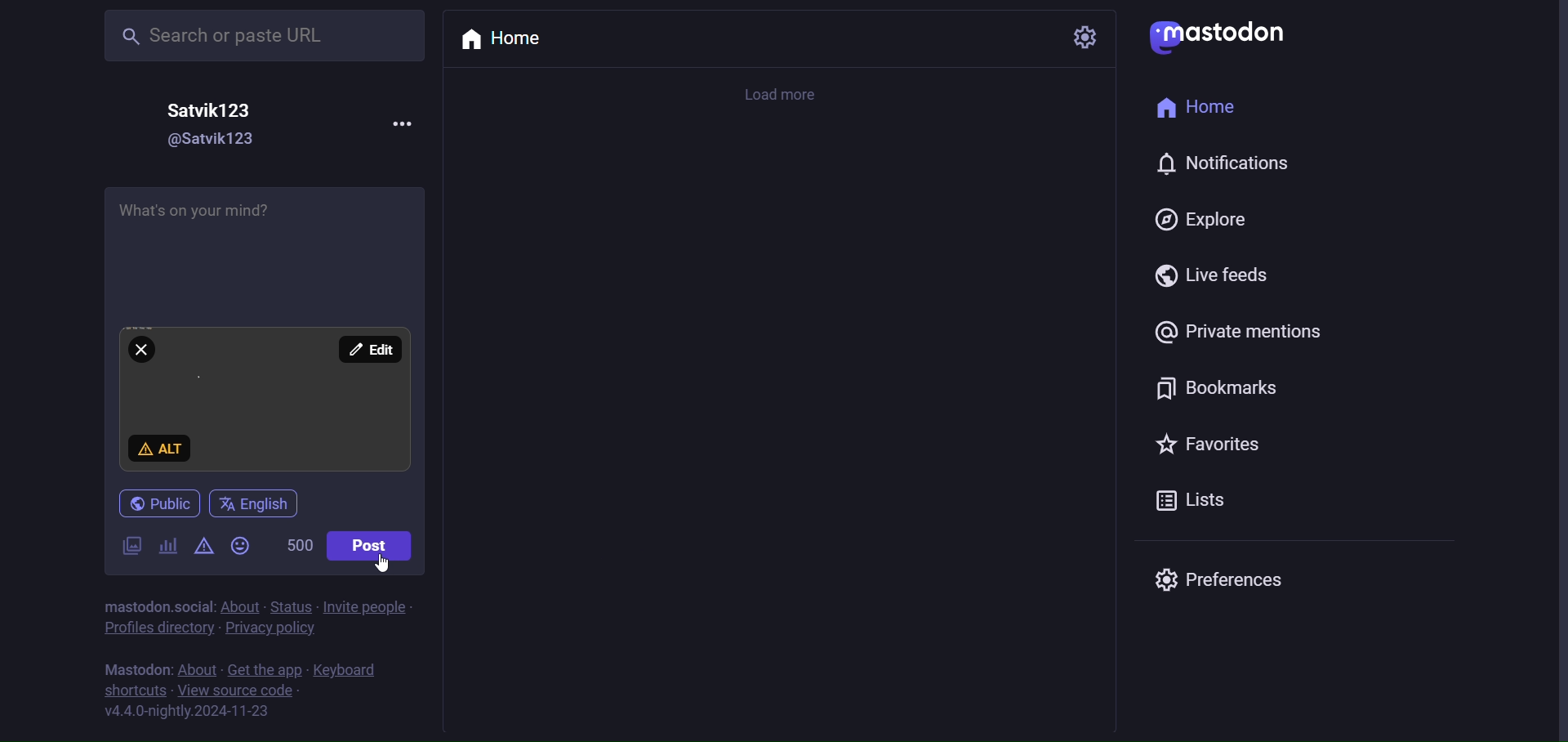 The width and height of the screenshot is (1568, 742). Describe the element at coordinates (165, 502) in the screenshot. I see `public` at that location.